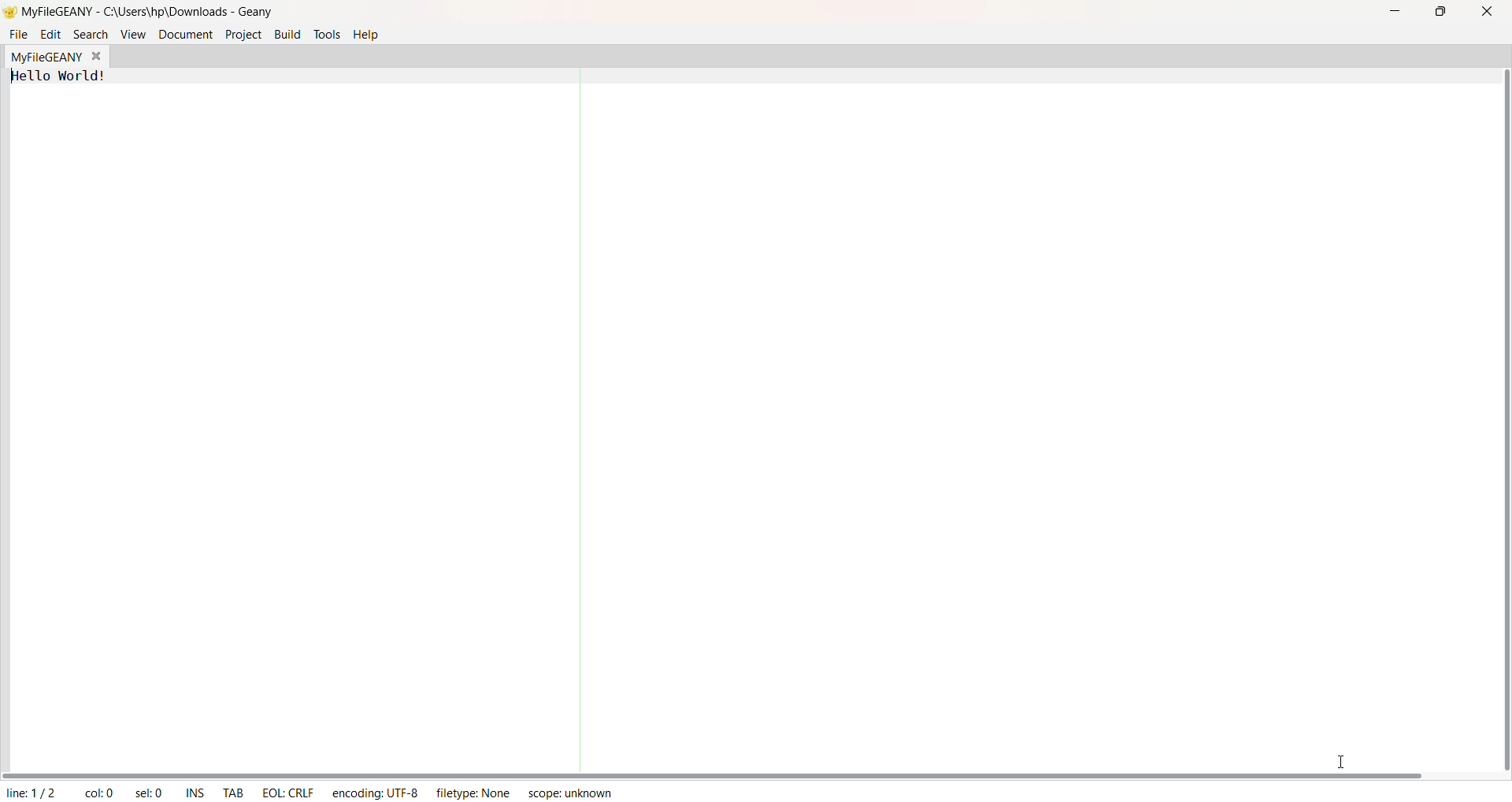 The height and width of the screenshot is (802, 1512). Describe the element at coordinates (94, 793) in the screenshot. I see `col: 0` at that location.